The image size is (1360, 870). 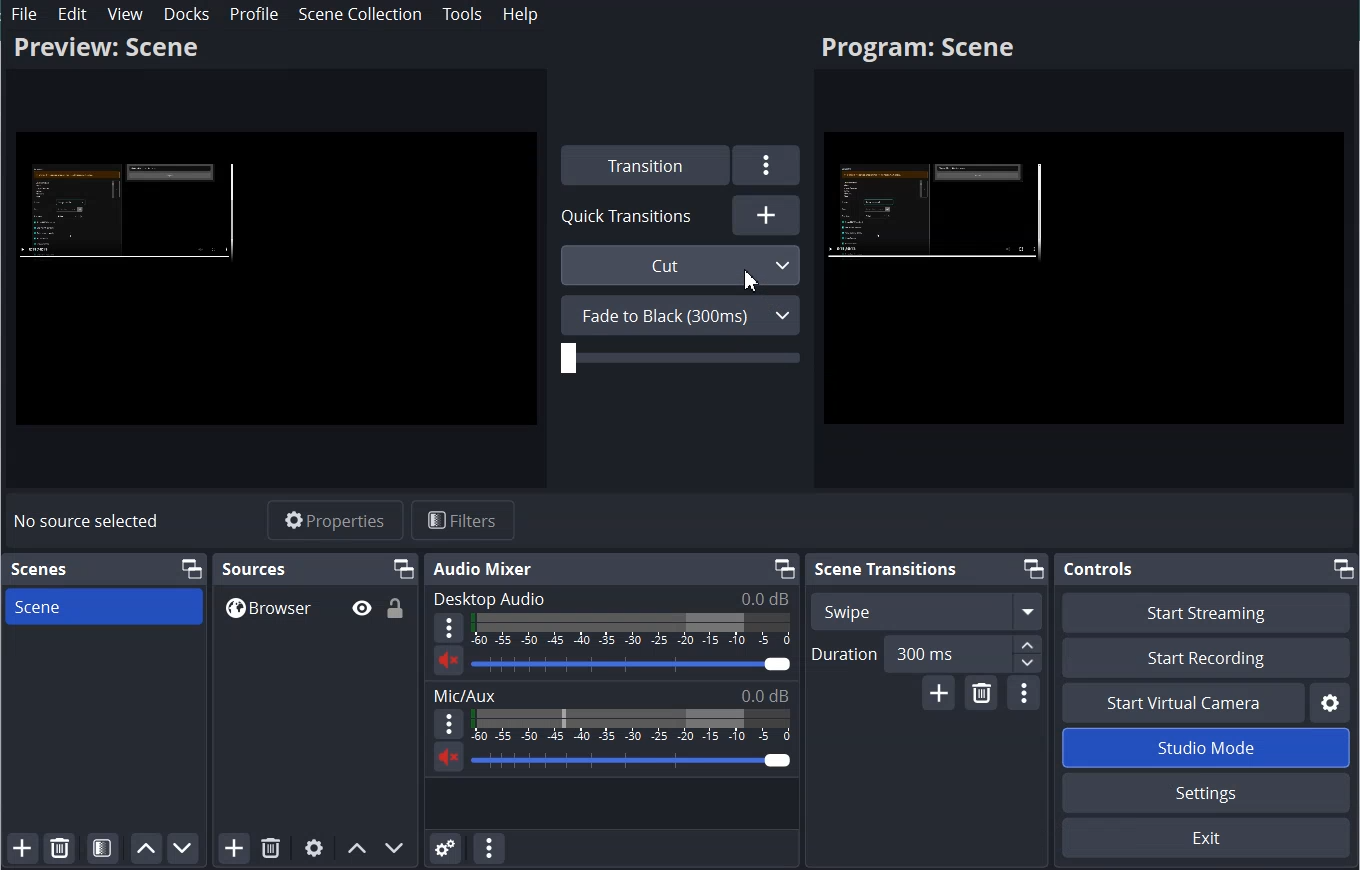 What do you see at coordinates (73, 14) in the screenshot?
I see `Edit` at bounding box center [73, 14].